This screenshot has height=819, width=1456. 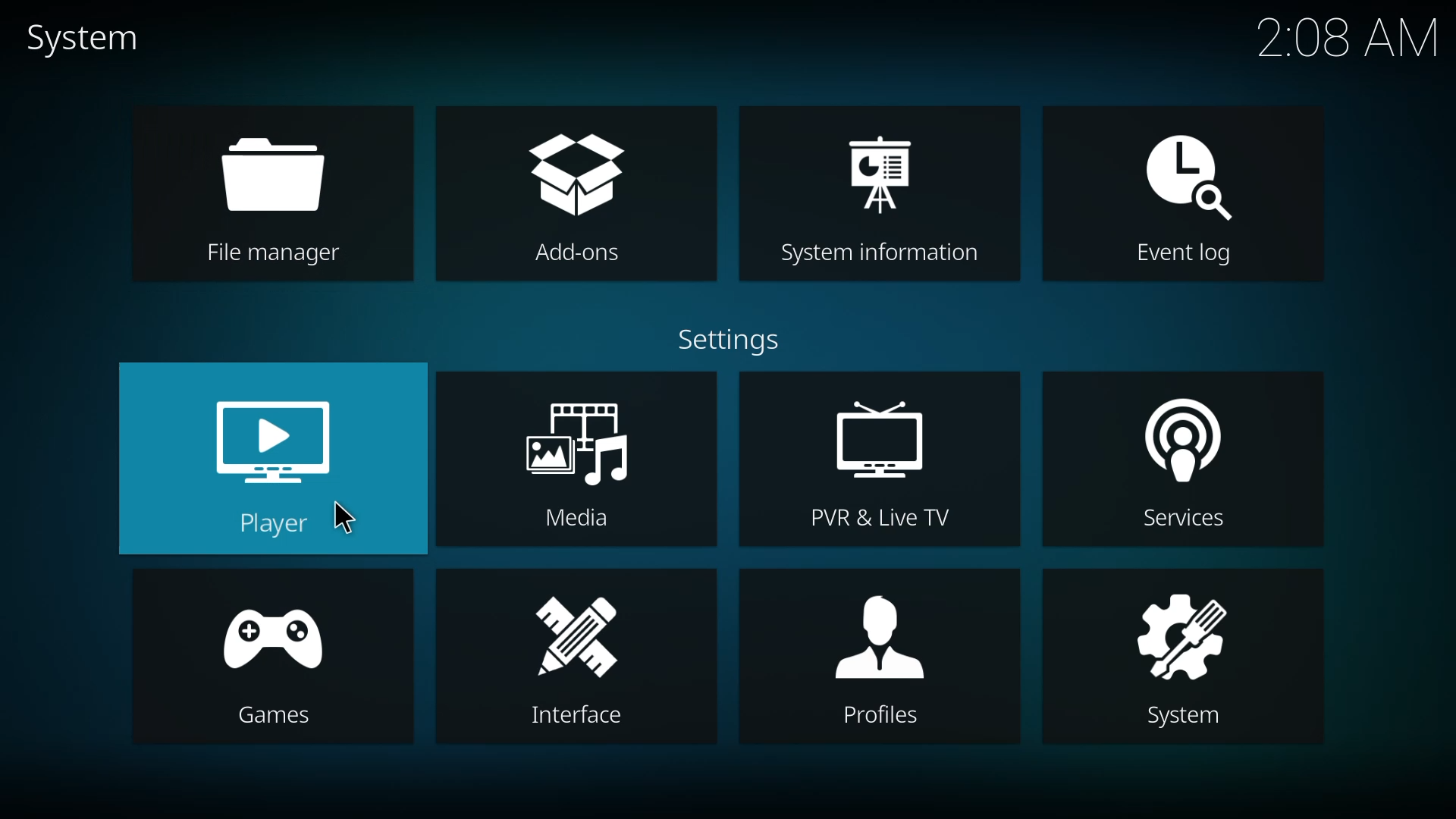 What do you see at coordinates (578, 661) in the screenshot?
I see `interface` at bounding box center [578, 661].